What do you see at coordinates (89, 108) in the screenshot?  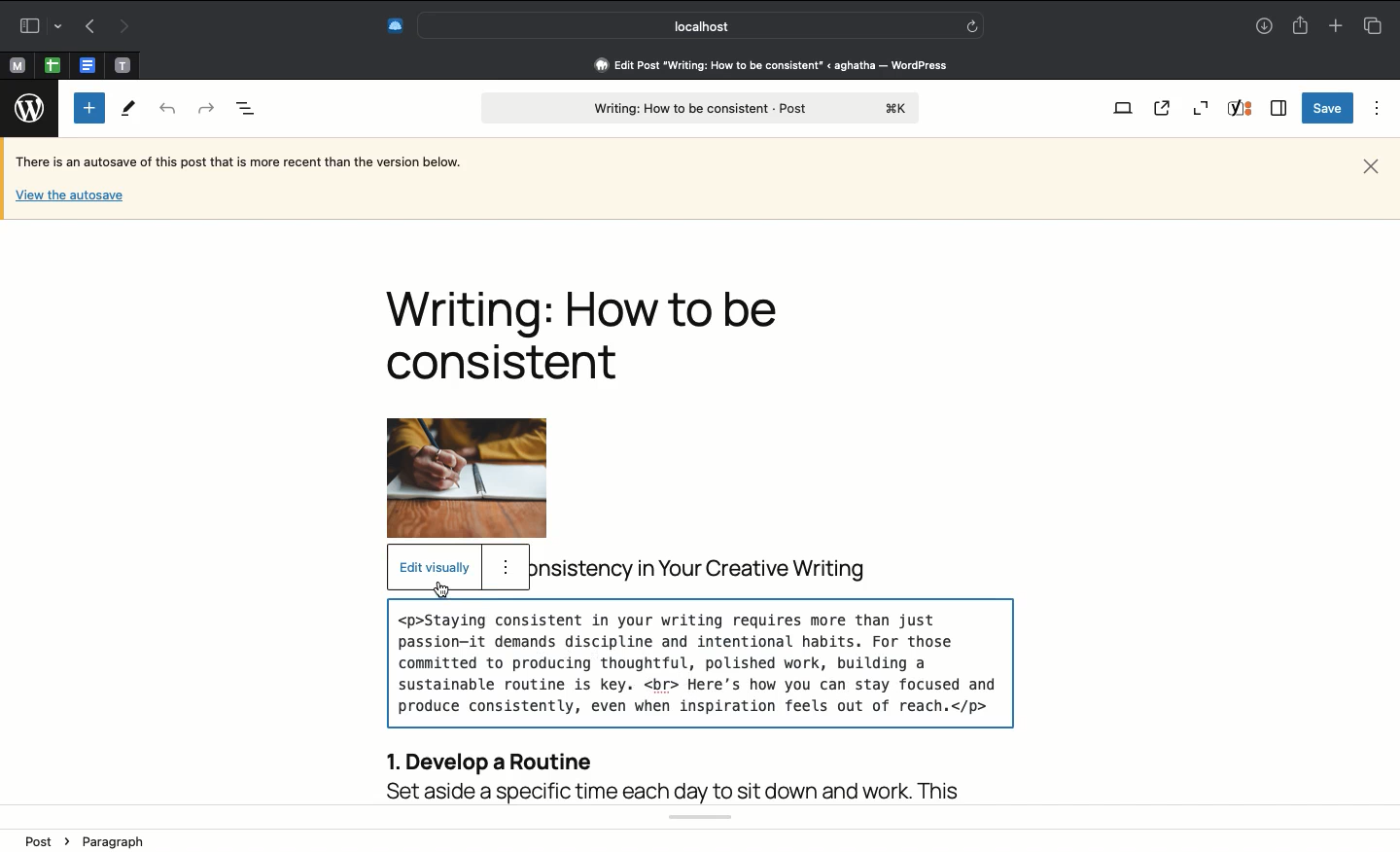 I see `Add new block` at bounding box center [89, 108].